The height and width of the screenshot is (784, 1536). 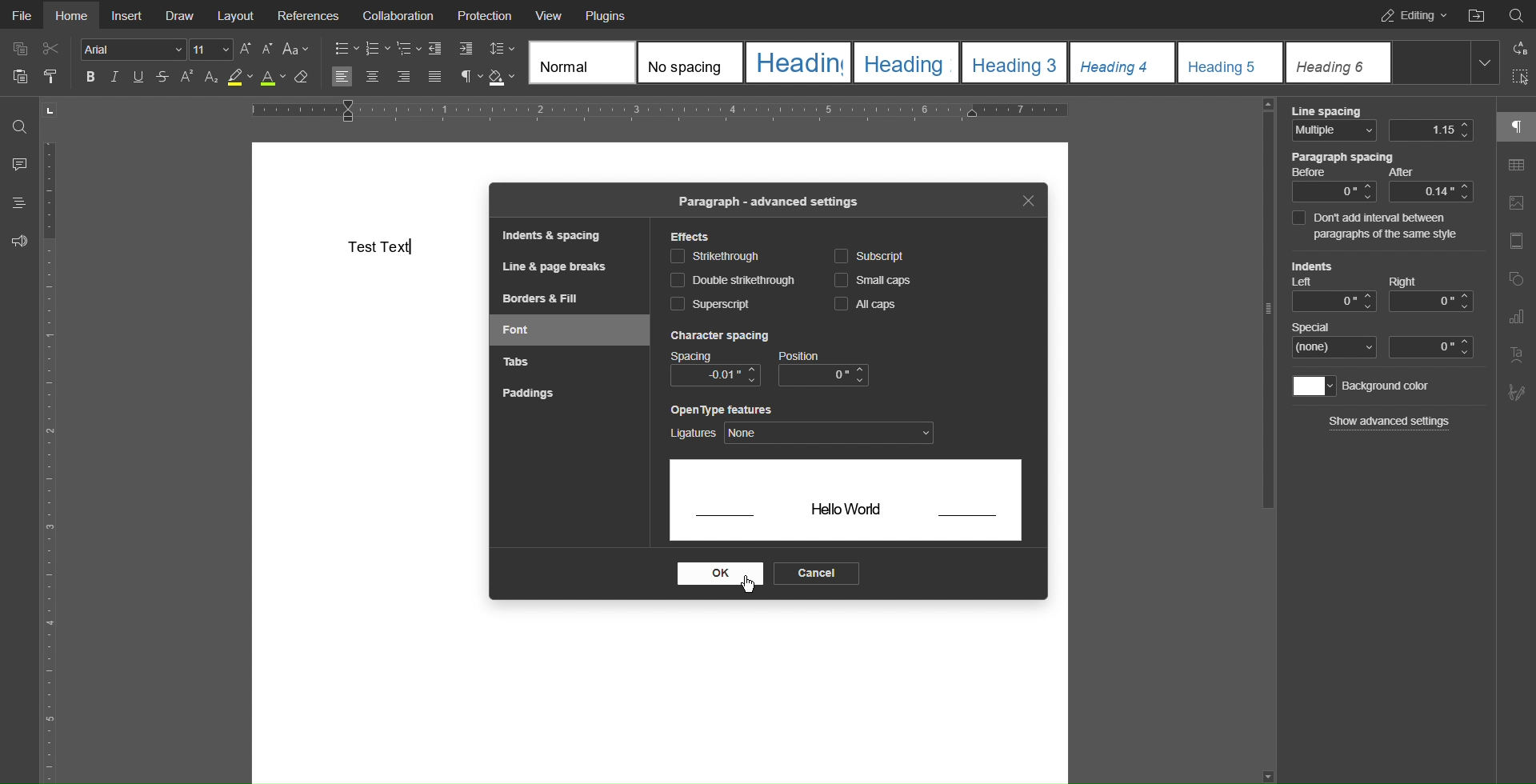 I want to click on Editing, so click(x=1409, y=14).